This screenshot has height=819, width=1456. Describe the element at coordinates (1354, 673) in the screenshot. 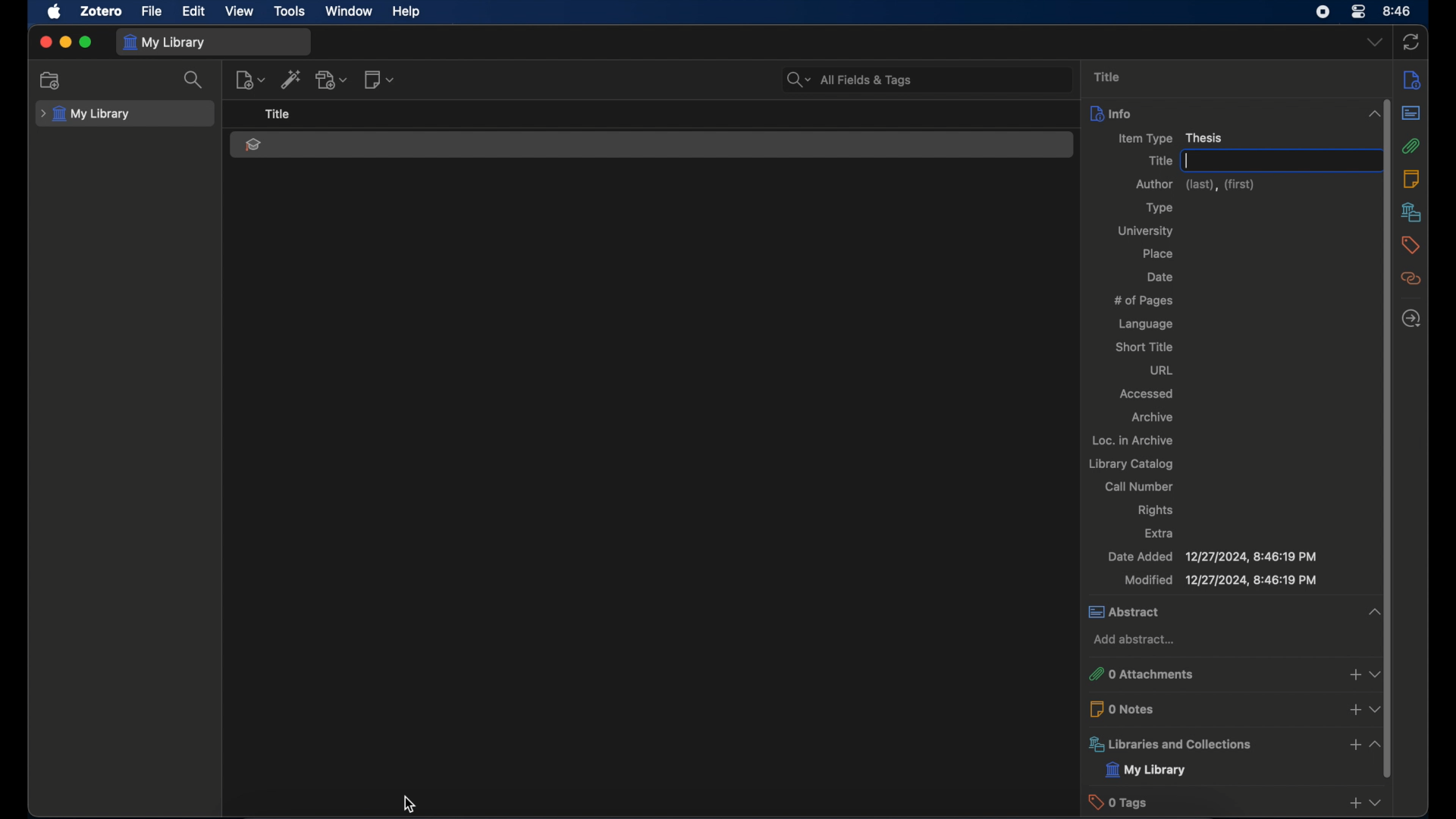

I see `add attachments` at that location.